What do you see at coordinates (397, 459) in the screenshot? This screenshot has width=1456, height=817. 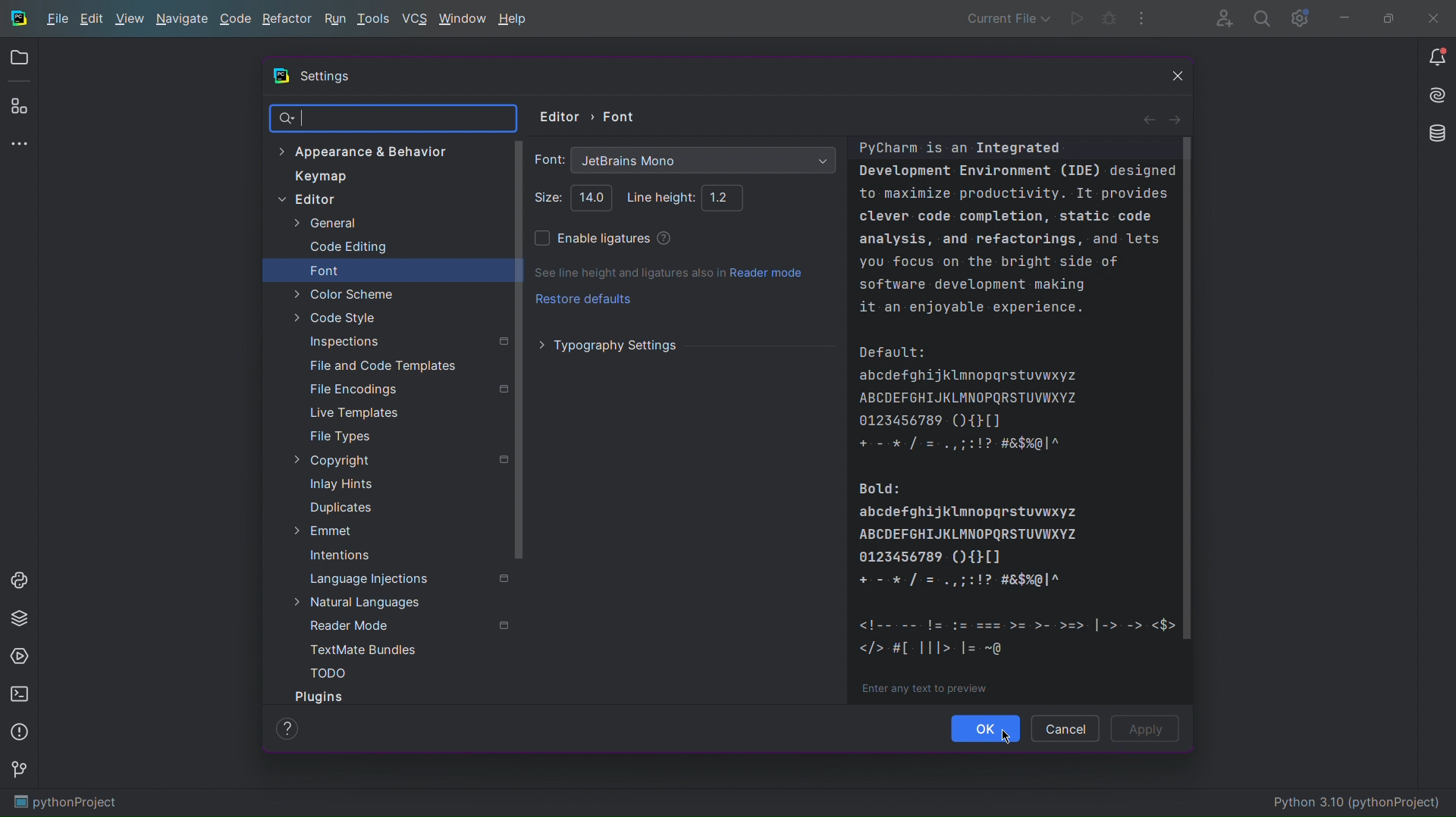 I see `Copyright` at bounding box center [397, 459].